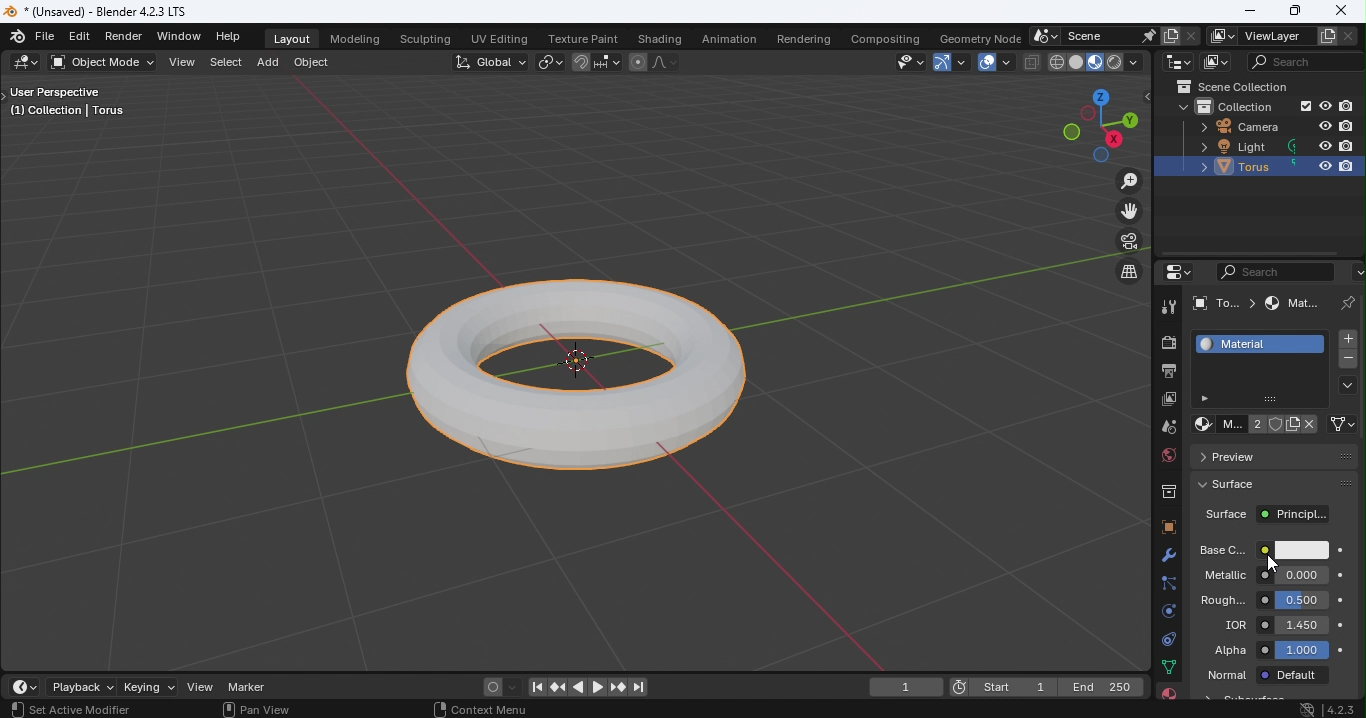 The height and width of the screenshot is (718, 1366). What do you see at coordinates (1131, 179) in the screenshot?
I see `Zoom in/out the view` at bounding box center [1131, 179].